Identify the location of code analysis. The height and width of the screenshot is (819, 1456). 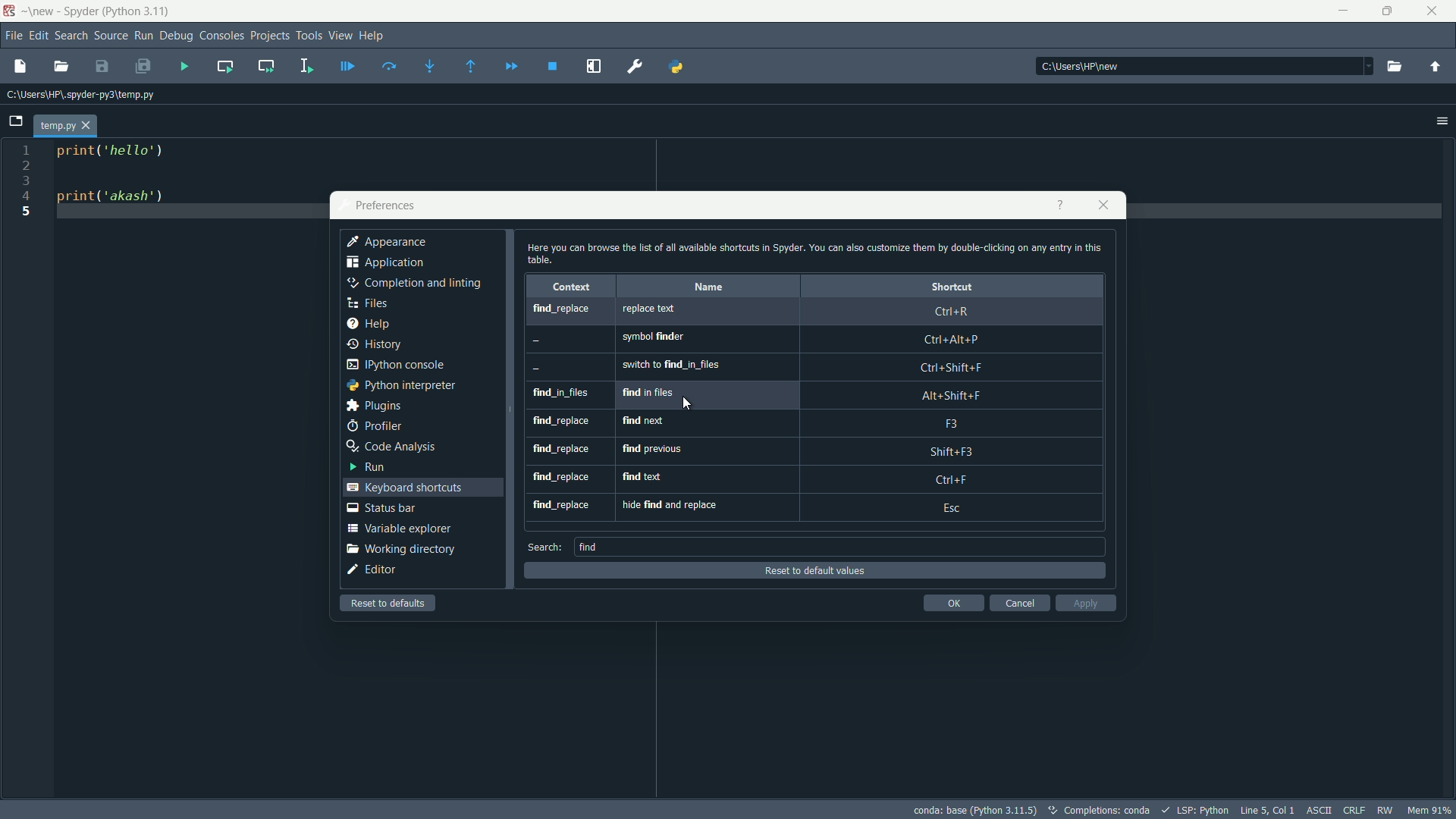
(391, 446).